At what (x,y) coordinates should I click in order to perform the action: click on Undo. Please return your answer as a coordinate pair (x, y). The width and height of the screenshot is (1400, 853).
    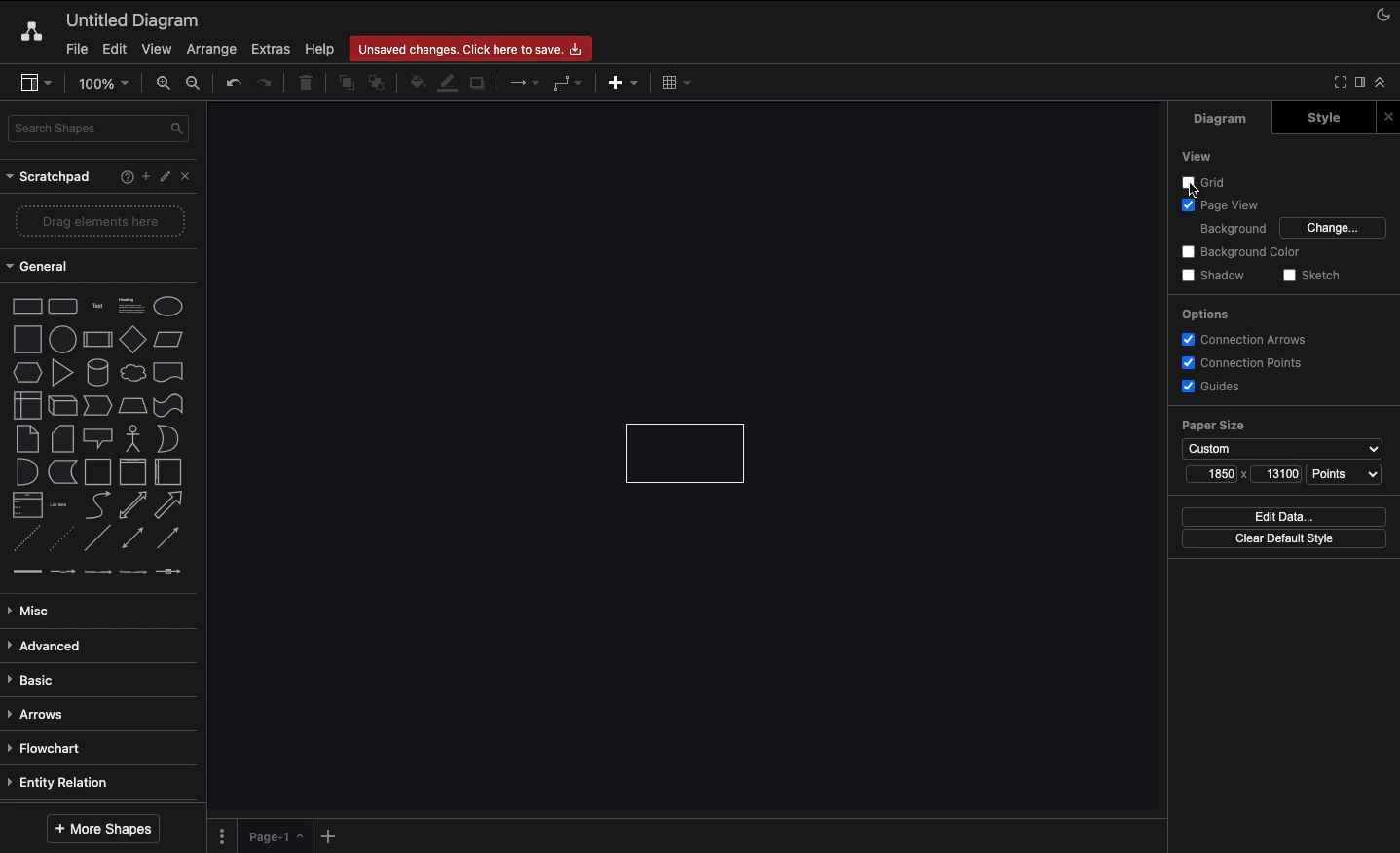
    Looking at the image, I should click on (235, 84).